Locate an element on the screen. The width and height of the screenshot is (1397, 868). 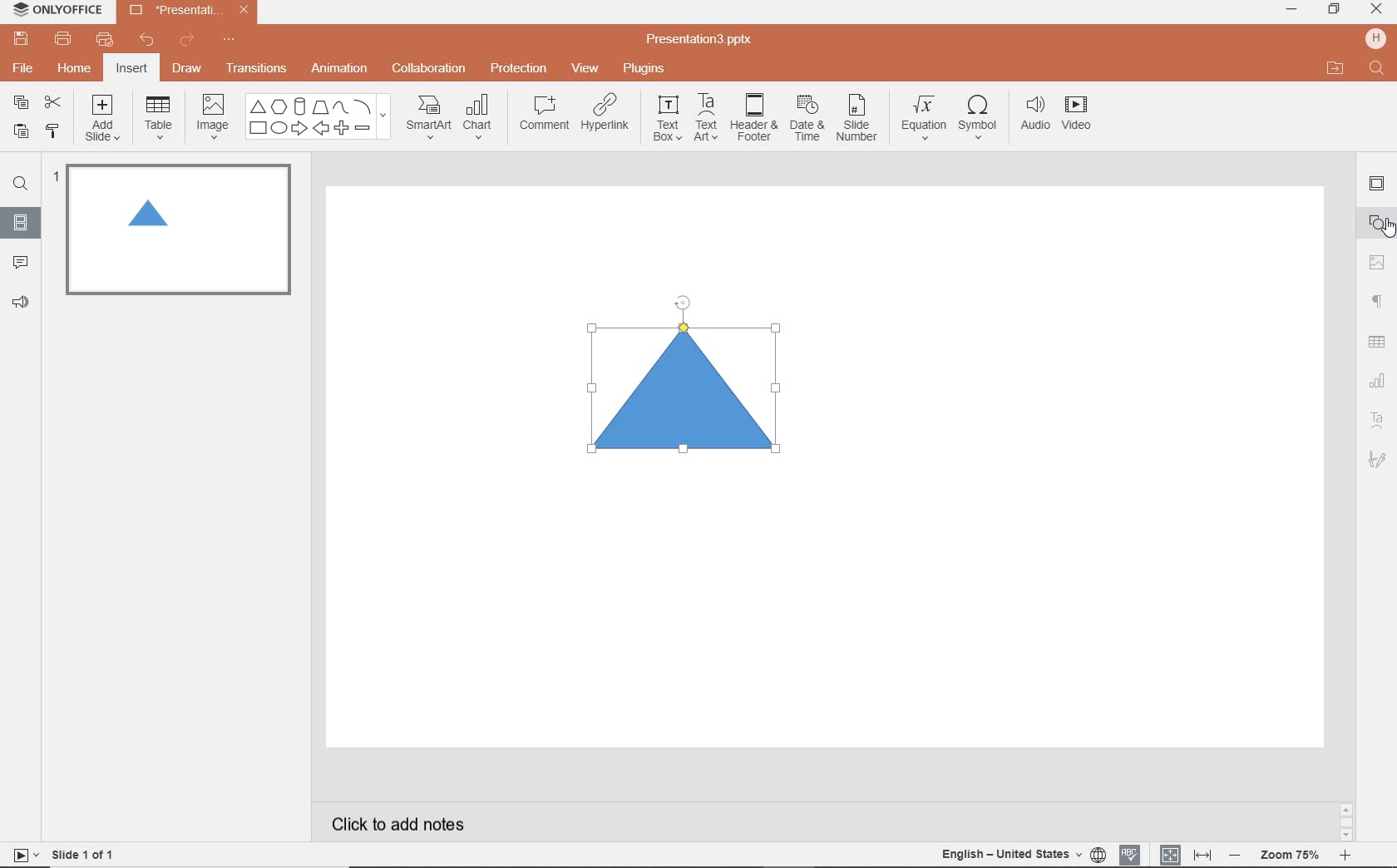
PROTECTION is located at coordinates (520, 67).